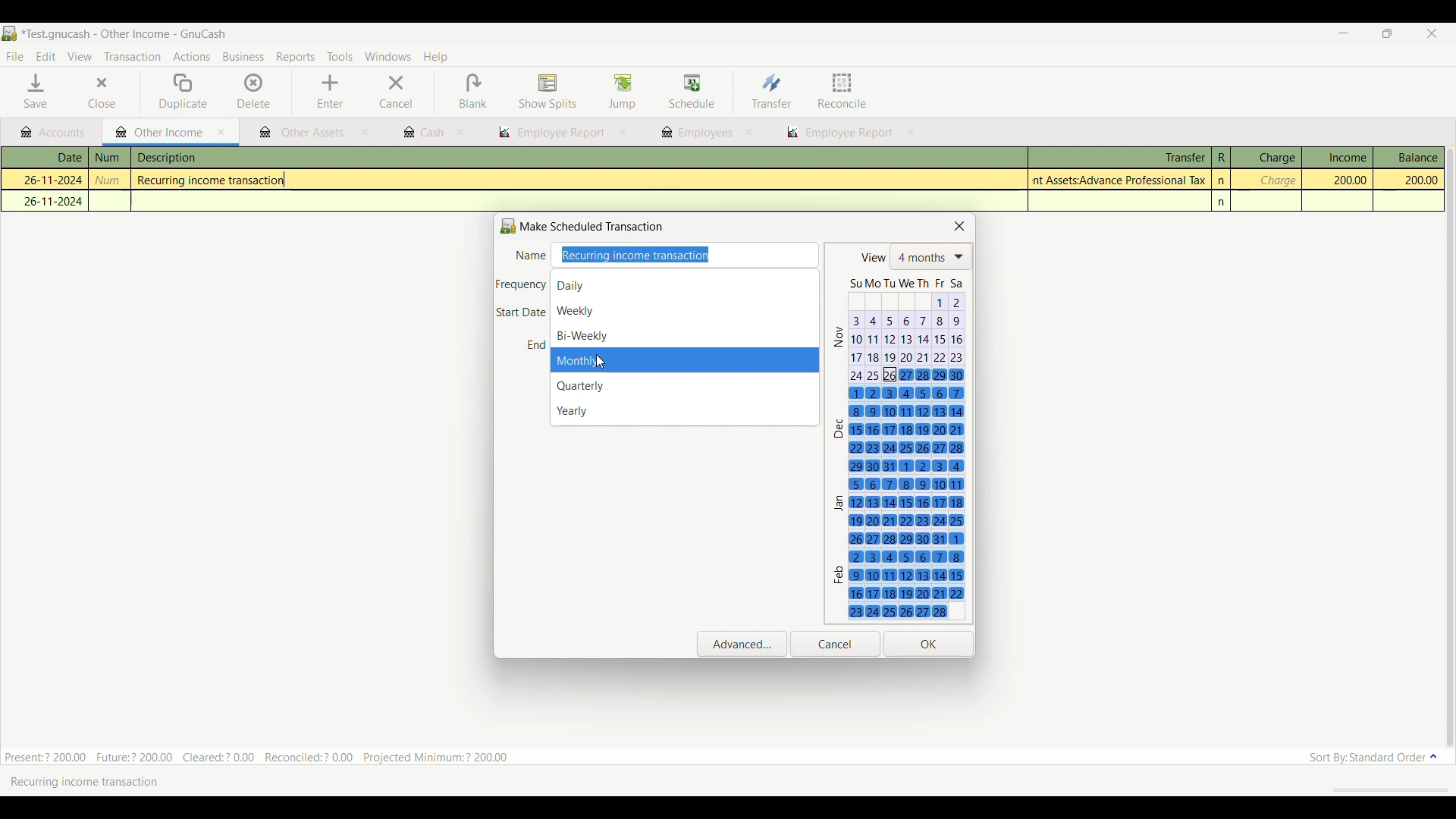 This screenshot has height=819, width=1456. What do you see at coordinates (622, 91) in the screenshot?
I see `Jump` at bounding box center [622, 91].